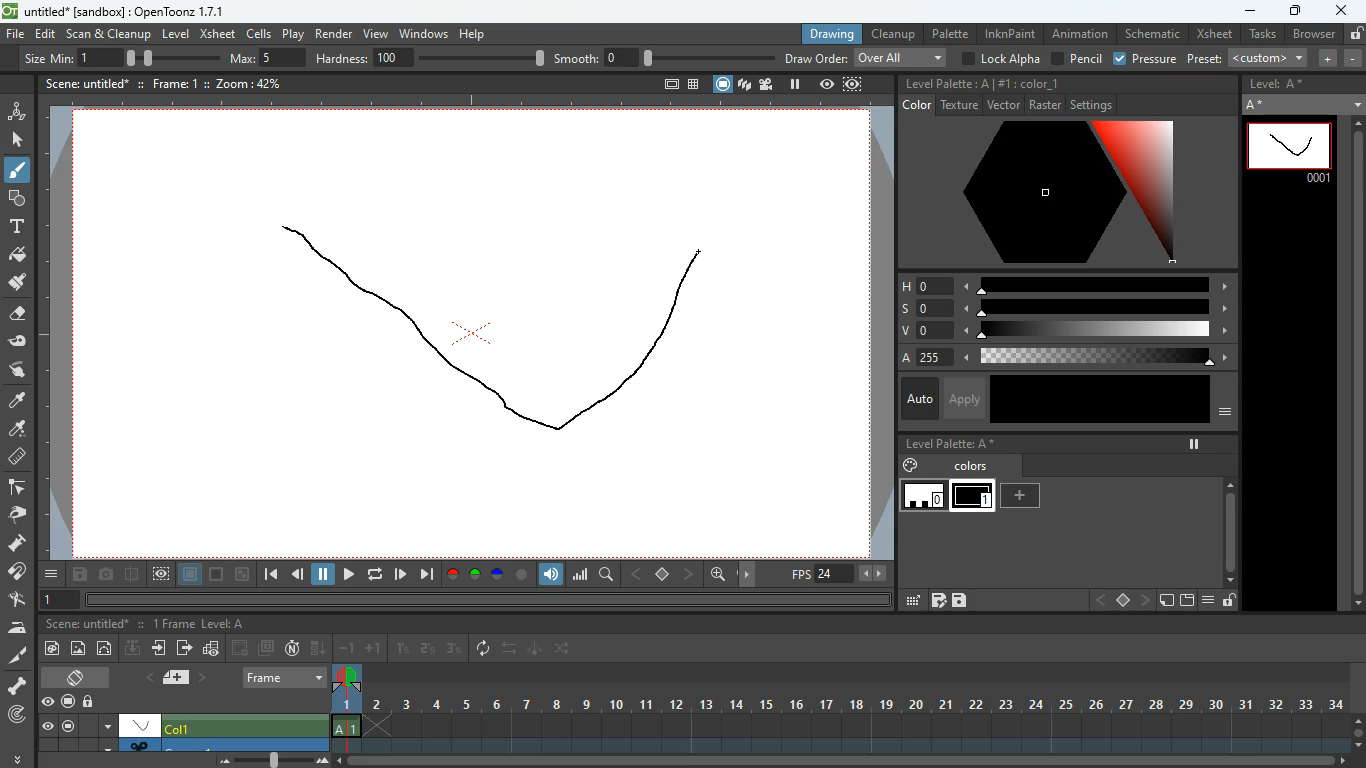 This screenshot has height=768, width=1366. Describe the element at coordinates (79, 677) in the screenshot. I see `change screen` at that location.